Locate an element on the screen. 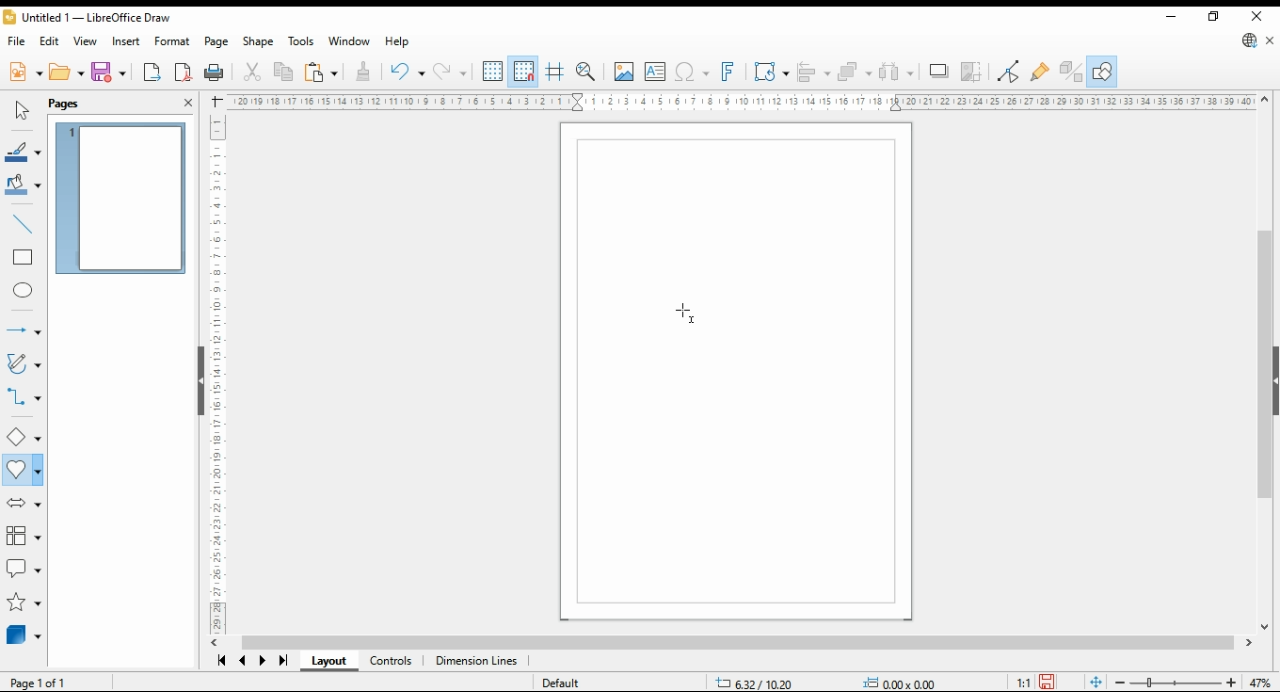 This screenshot has width=1280, height=692. close window is located at coordinates (1256, 16).